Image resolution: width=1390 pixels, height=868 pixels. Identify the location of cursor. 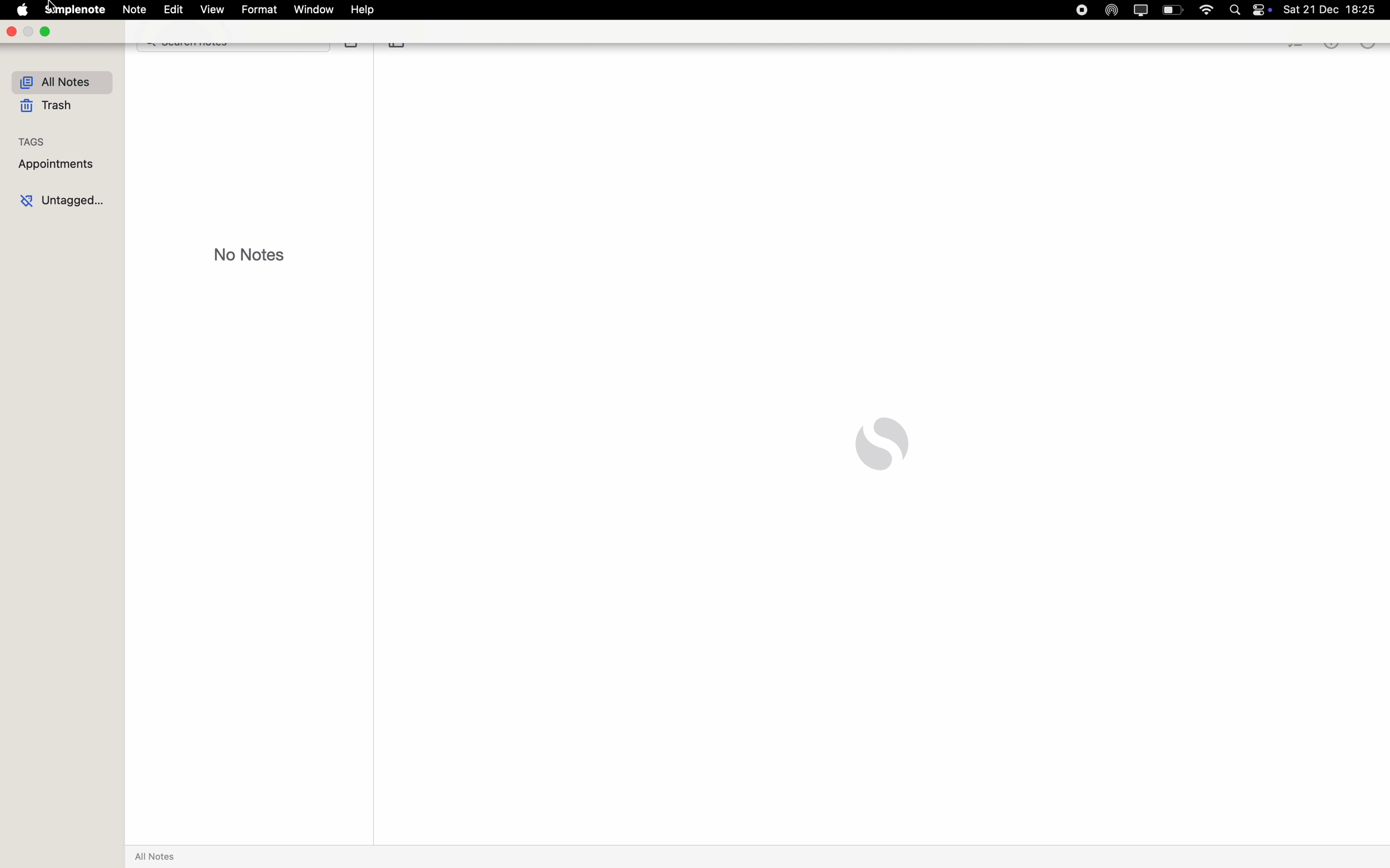
(48, 7).